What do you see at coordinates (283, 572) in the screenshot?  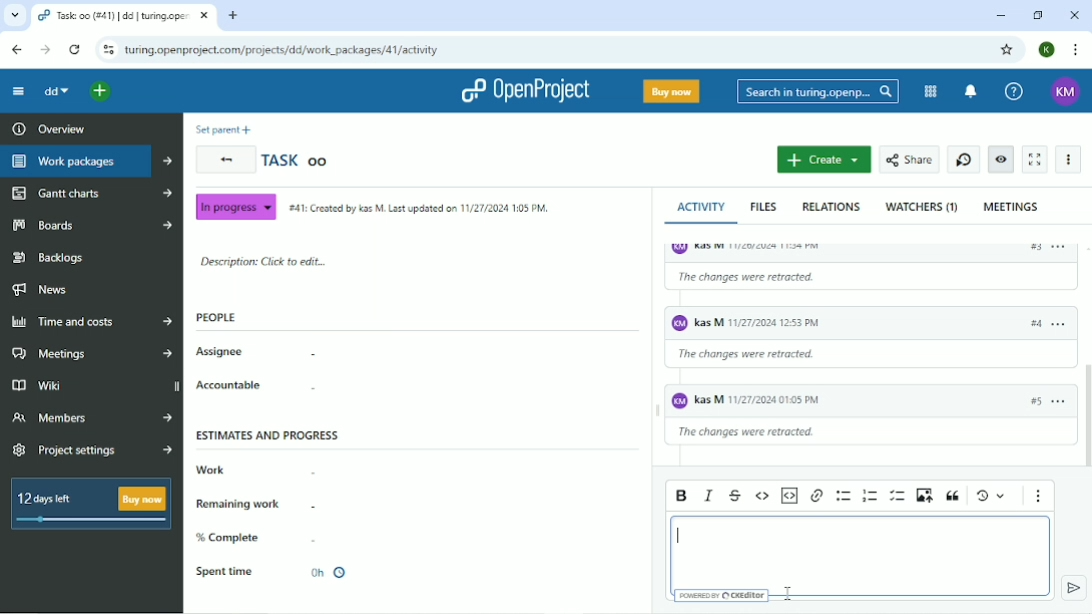 I see `Spent time 0h` at bounding box center [283, 572].